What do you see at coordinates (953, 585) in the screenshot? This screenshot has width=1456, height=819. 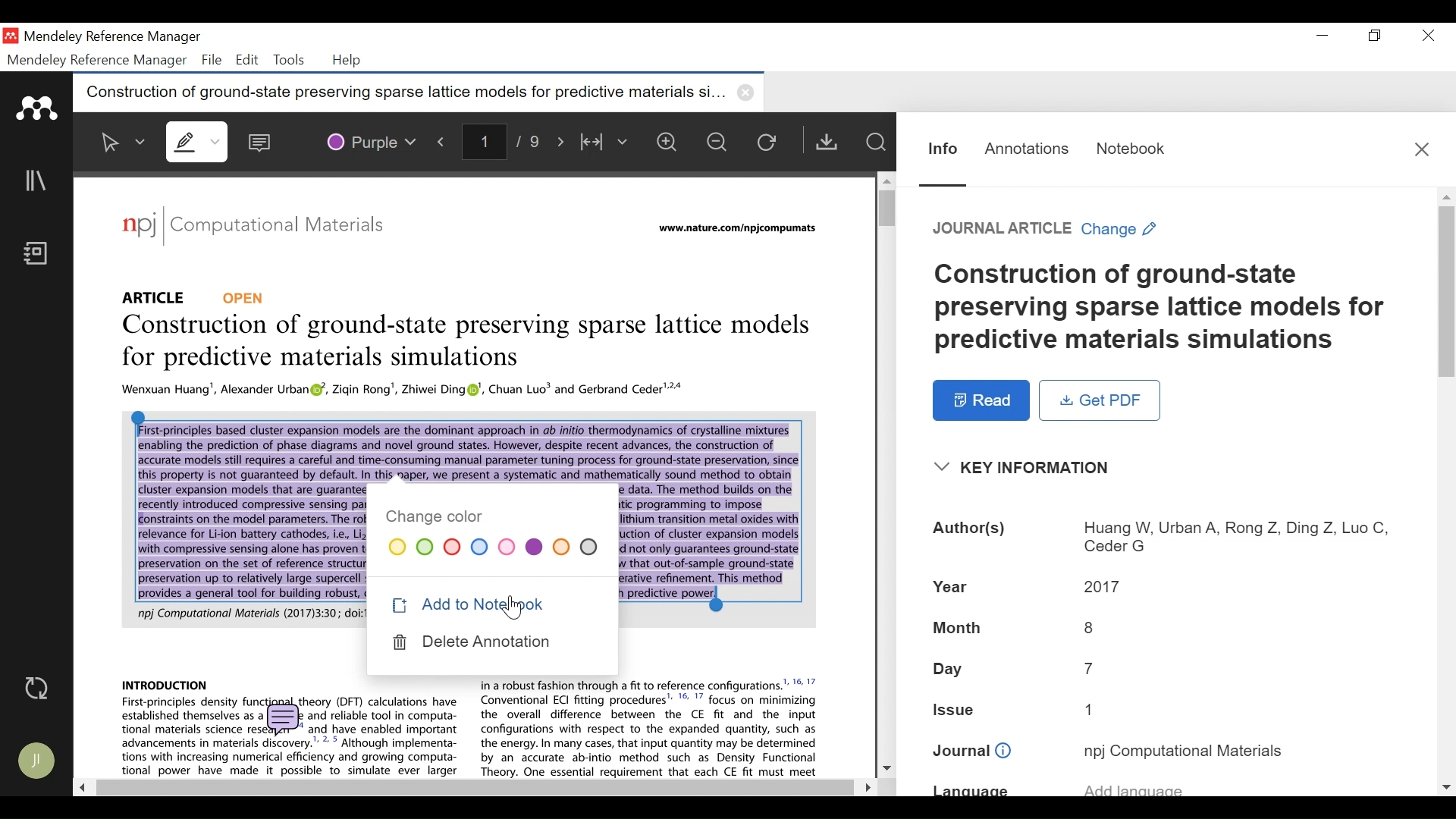 I see `Year` at bounding box center [953, 585].